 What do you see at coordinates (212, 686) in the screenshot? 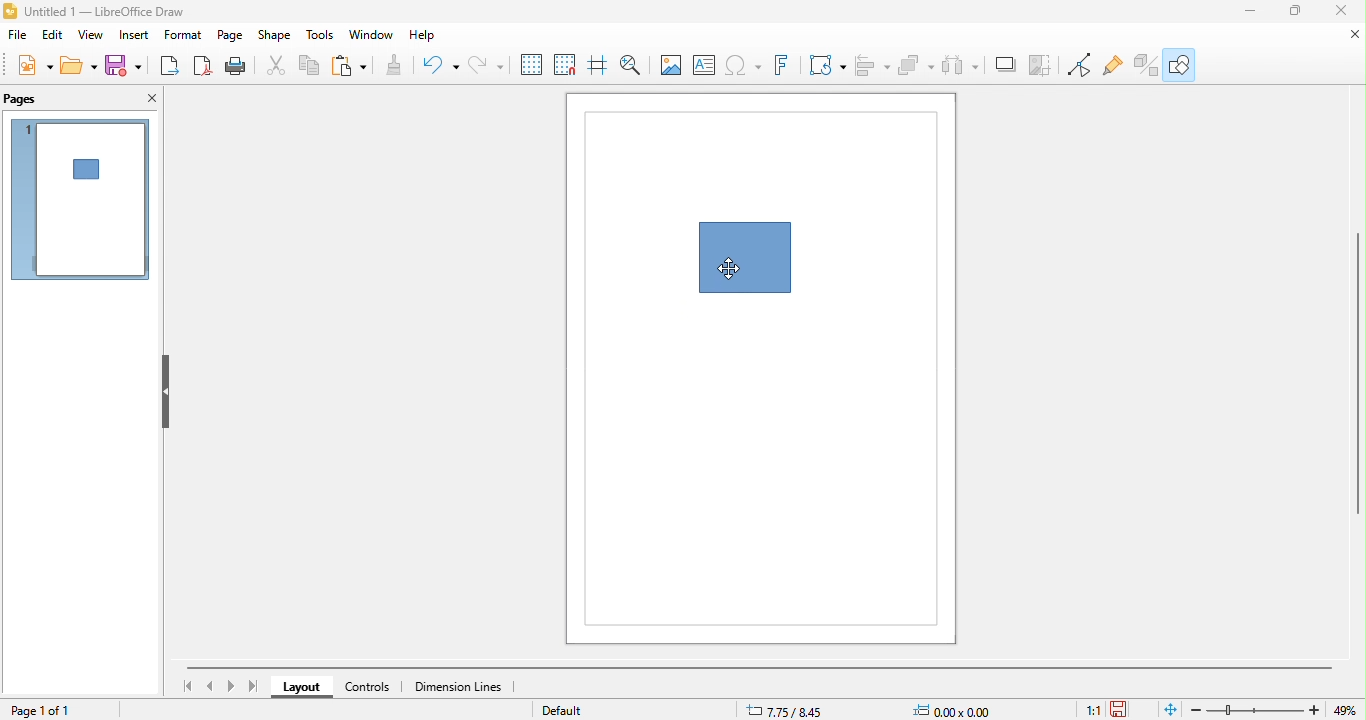
I see `previous page` at bounding box center [212, 686].